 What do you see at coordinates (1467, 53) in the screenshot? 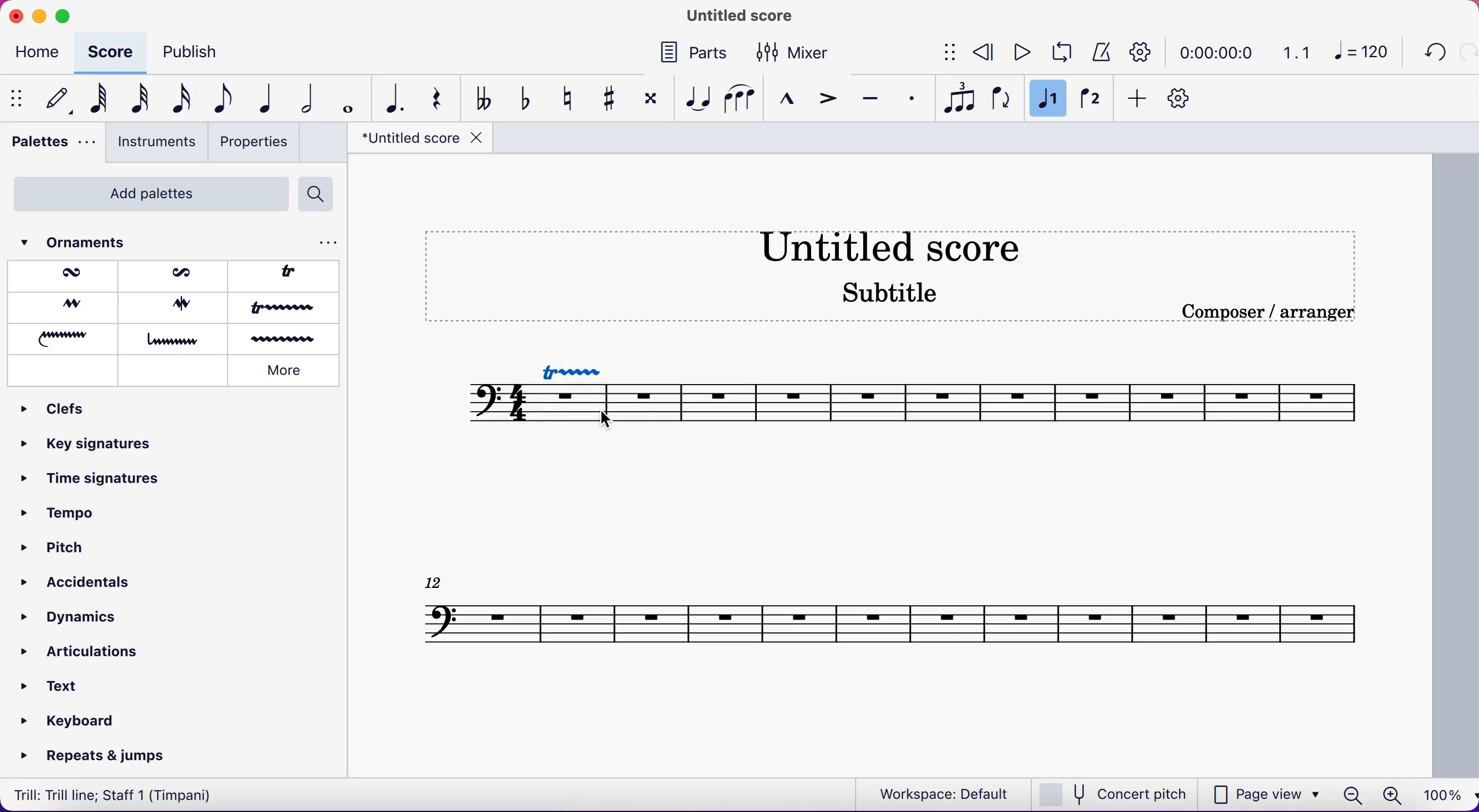
I see `redo` at bounding box center [1467, 53].